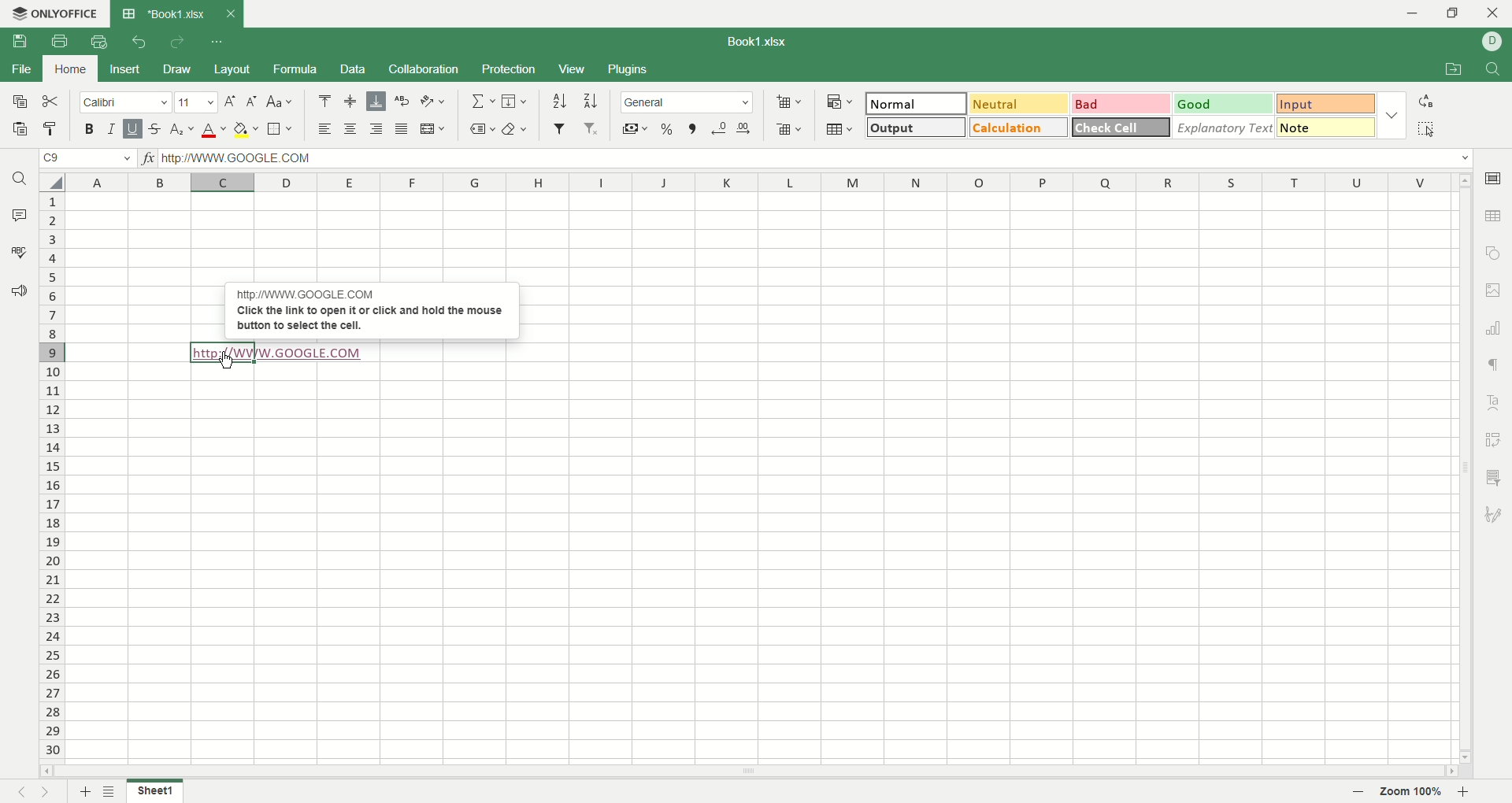 The image size is (1512, 803). Describe the element at coordinates (1494, 327) in the screenshot. I see `chart settings` at that location.